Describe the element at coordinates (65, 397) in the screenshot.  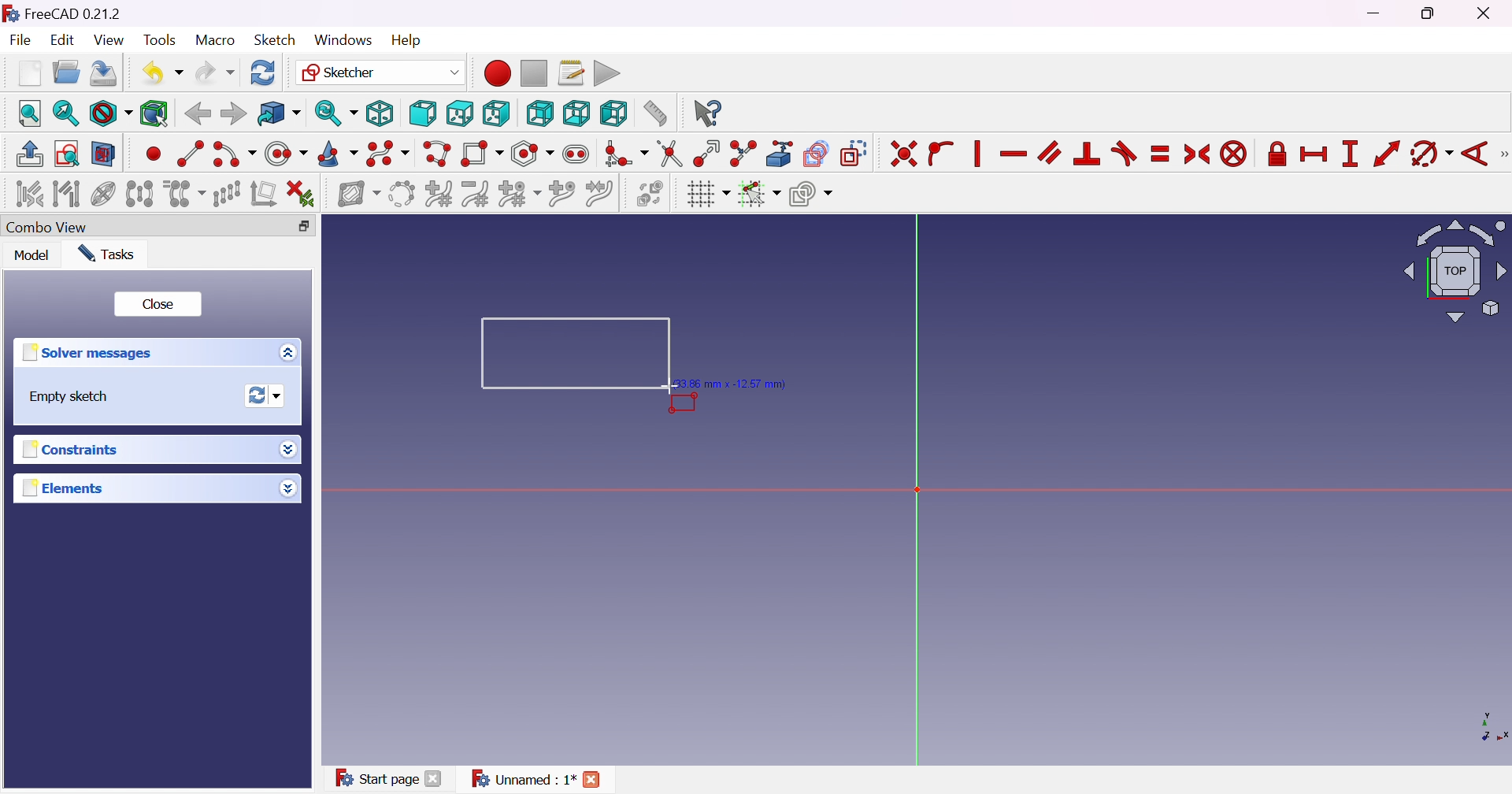
I see `Empty sketch` at that location.